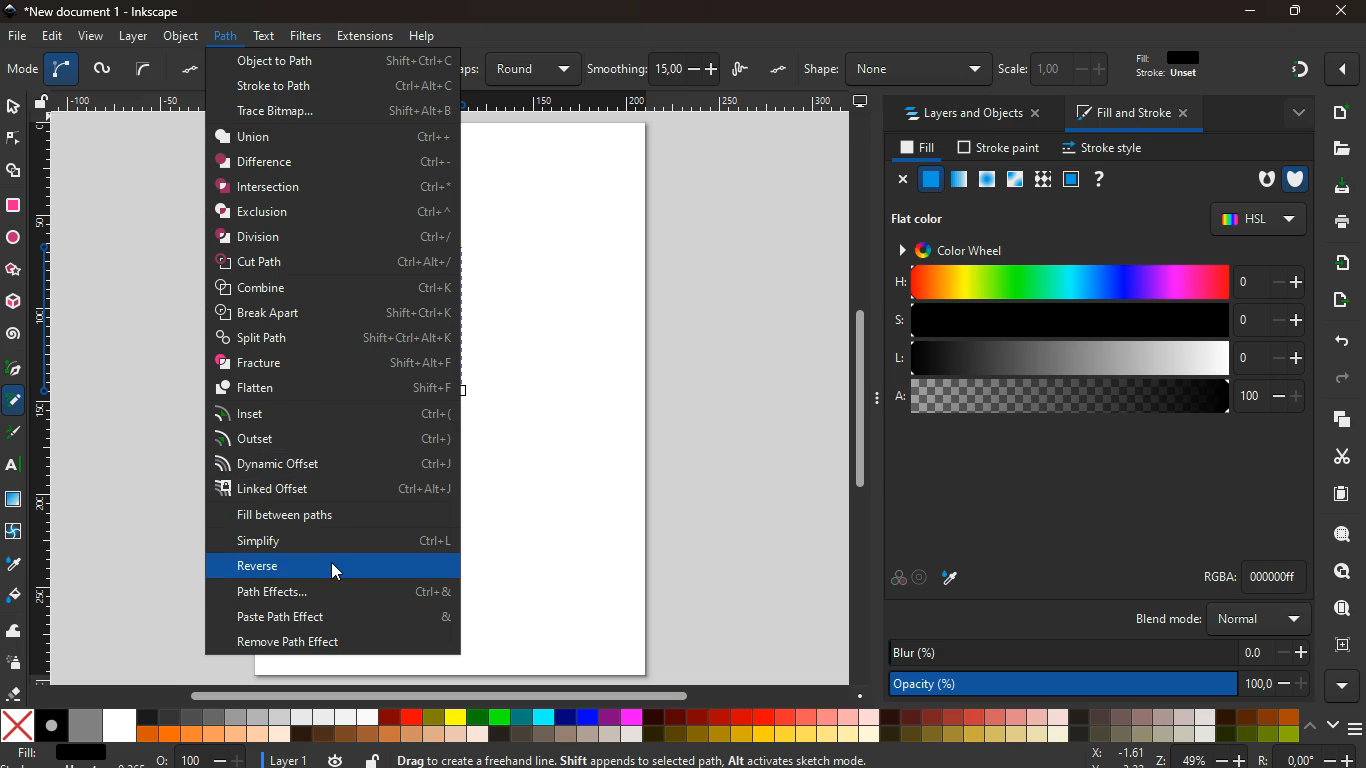 The height and width of the screenshot is (768, 1366). I want to click on stroke paint, so click(1001, 148).